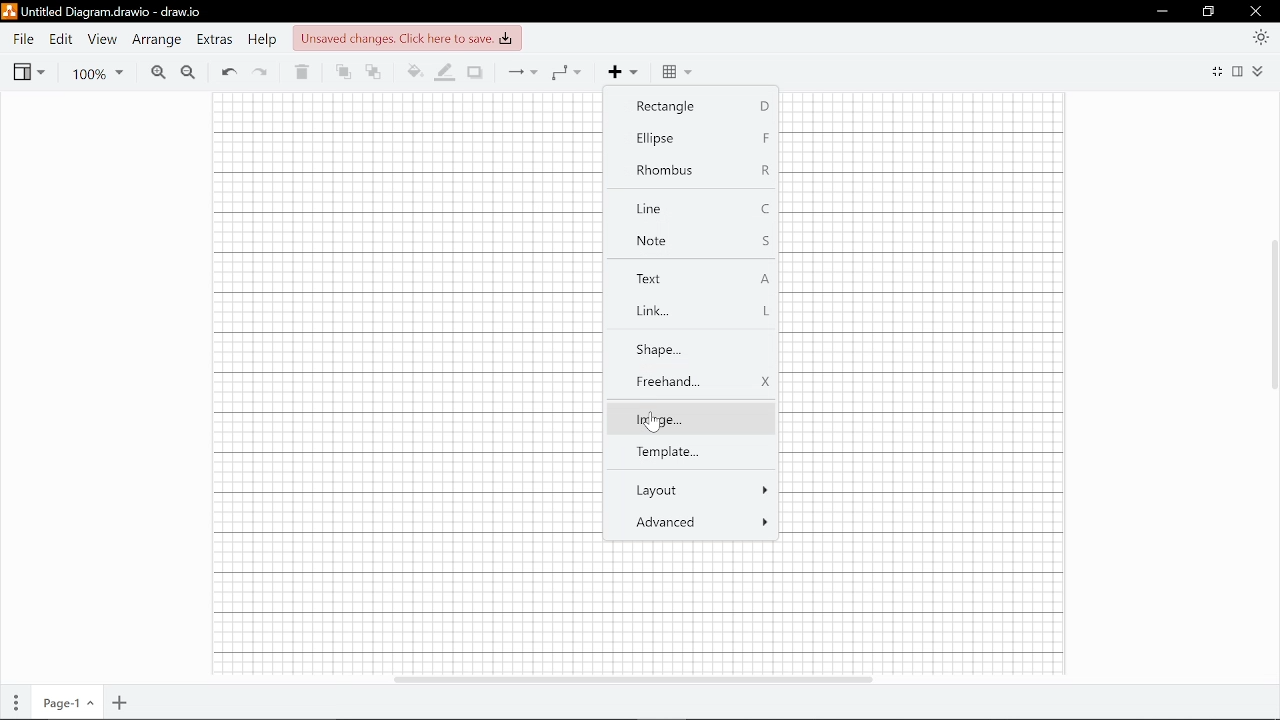 The width and height of the screenshot is (1280, 720). I want to click on Redo, so click(261, 71).